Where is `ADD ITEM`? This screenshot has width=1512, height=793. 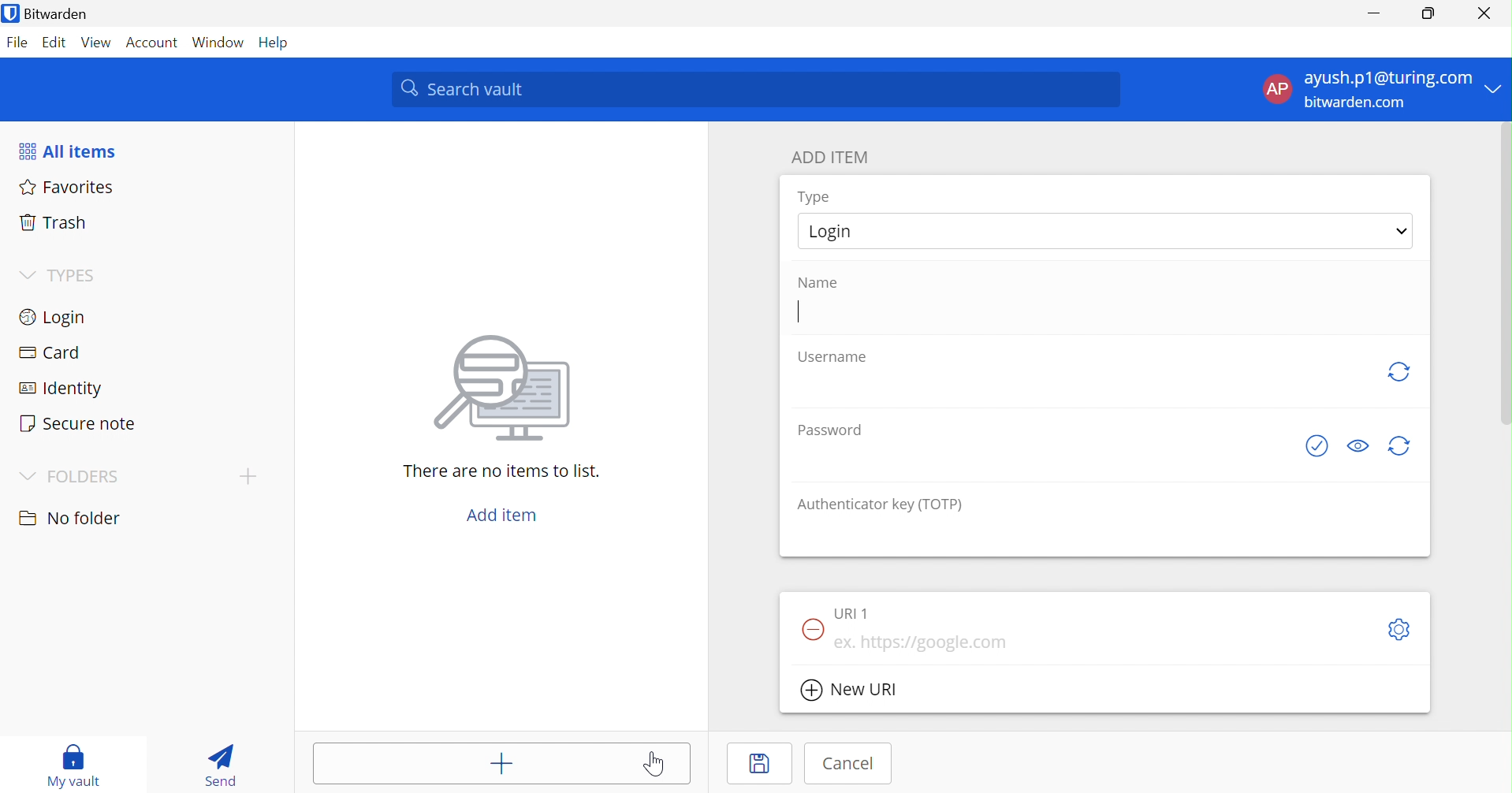
ADD ITEM is located at coordinates (829, 157).